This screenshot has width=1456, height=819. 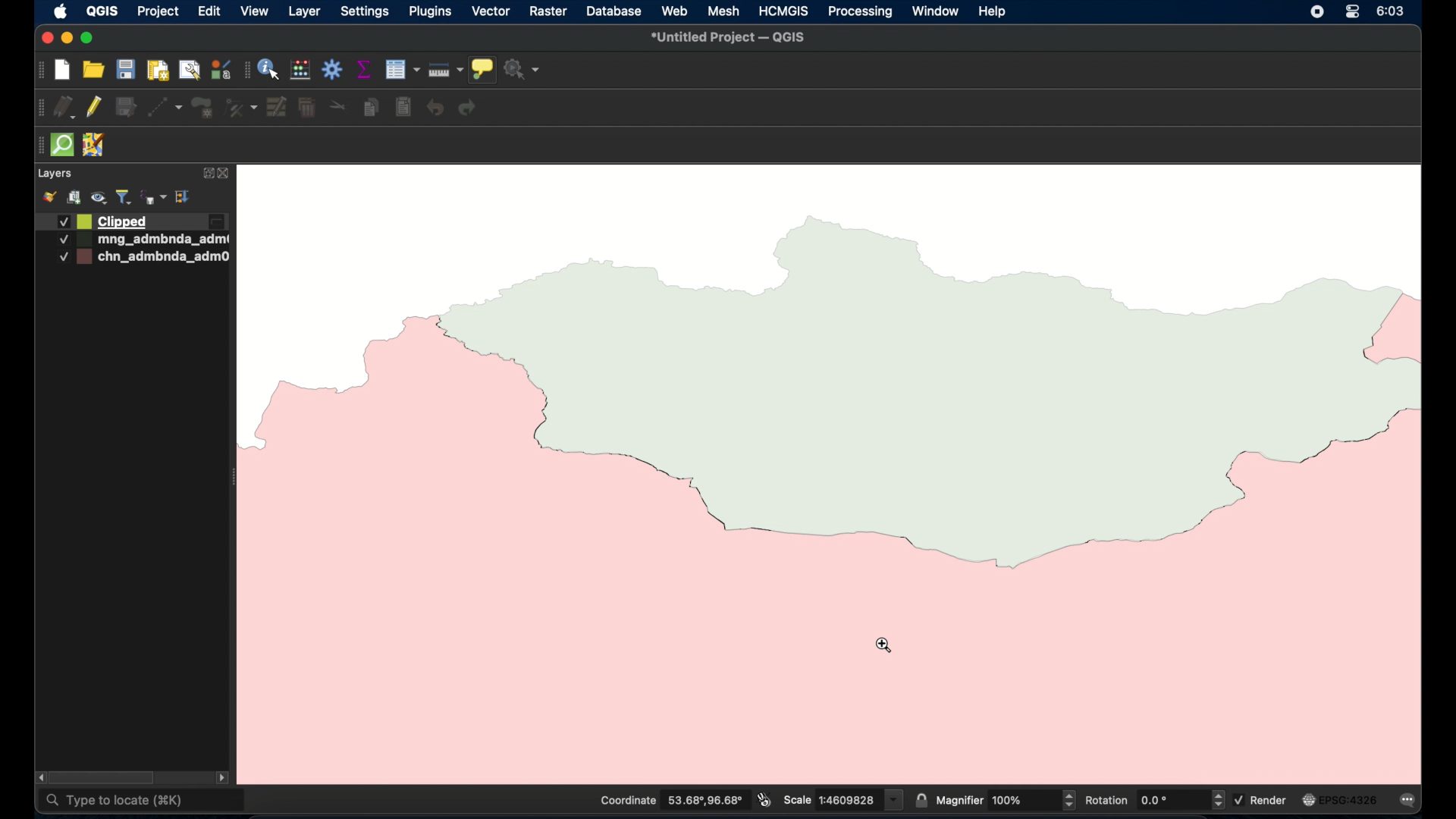 What do you see at coordinates (1392, 11) in the screenshot?
I see `time` at bounding box center [1392, 11].